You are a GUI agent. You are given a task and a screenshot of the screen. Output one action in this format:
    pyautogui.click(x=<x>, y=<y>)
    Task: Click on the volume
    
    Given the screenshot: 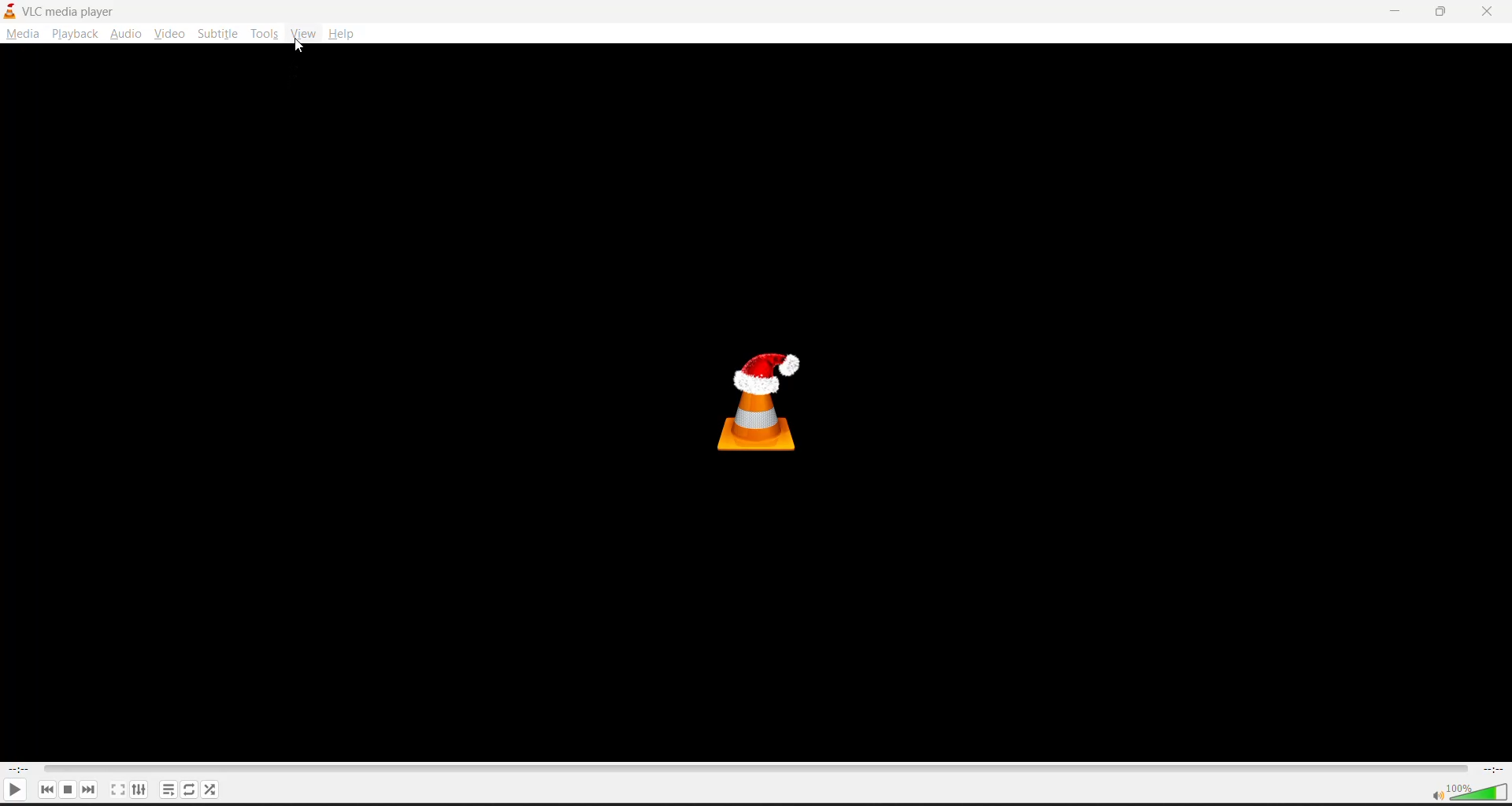 What is the action you would take?
    pyautogui.click(x=1469, y=792)
    